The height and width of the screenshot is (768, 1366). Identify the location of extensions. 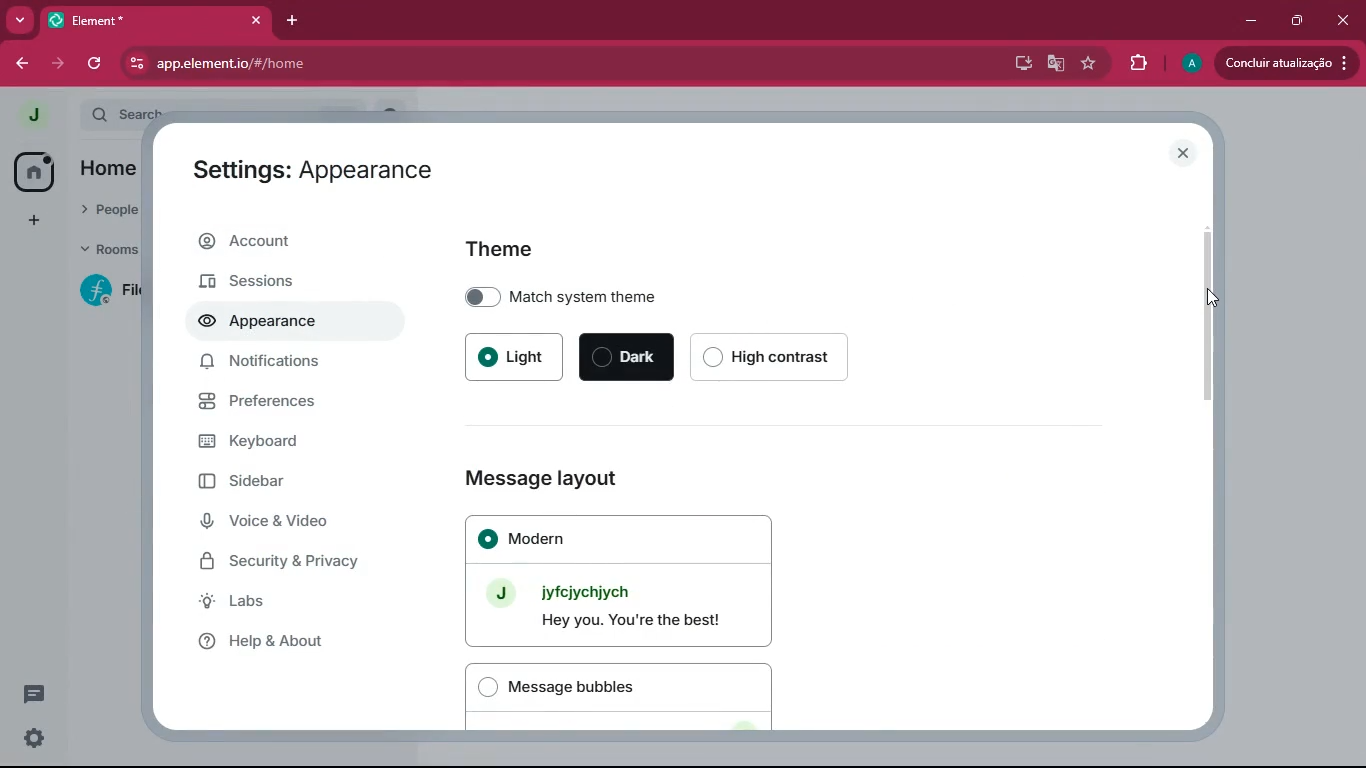
(1132, 64).